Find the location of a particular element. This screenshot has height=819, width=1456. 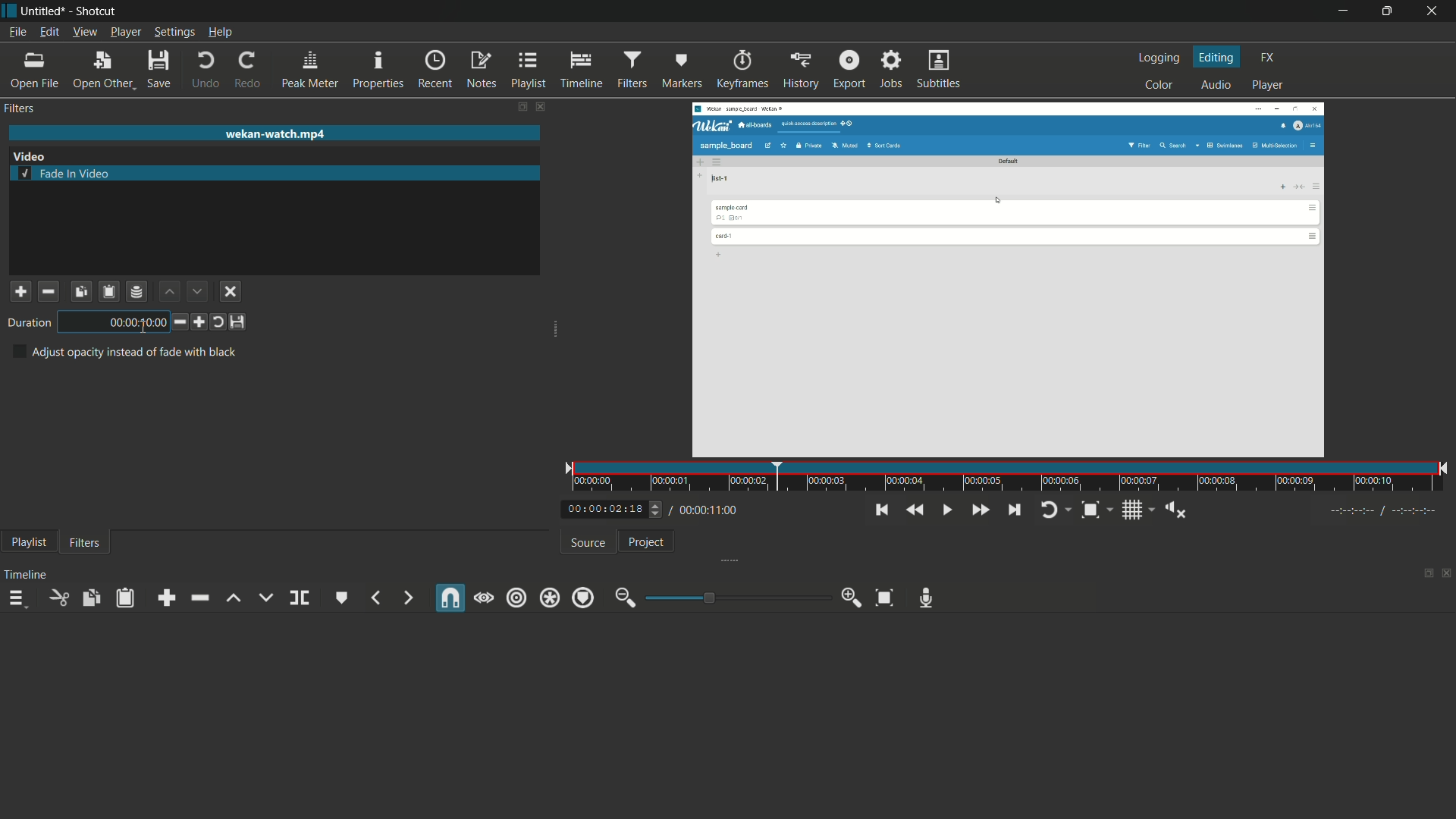

decrement is located at coordinates (177, 322).